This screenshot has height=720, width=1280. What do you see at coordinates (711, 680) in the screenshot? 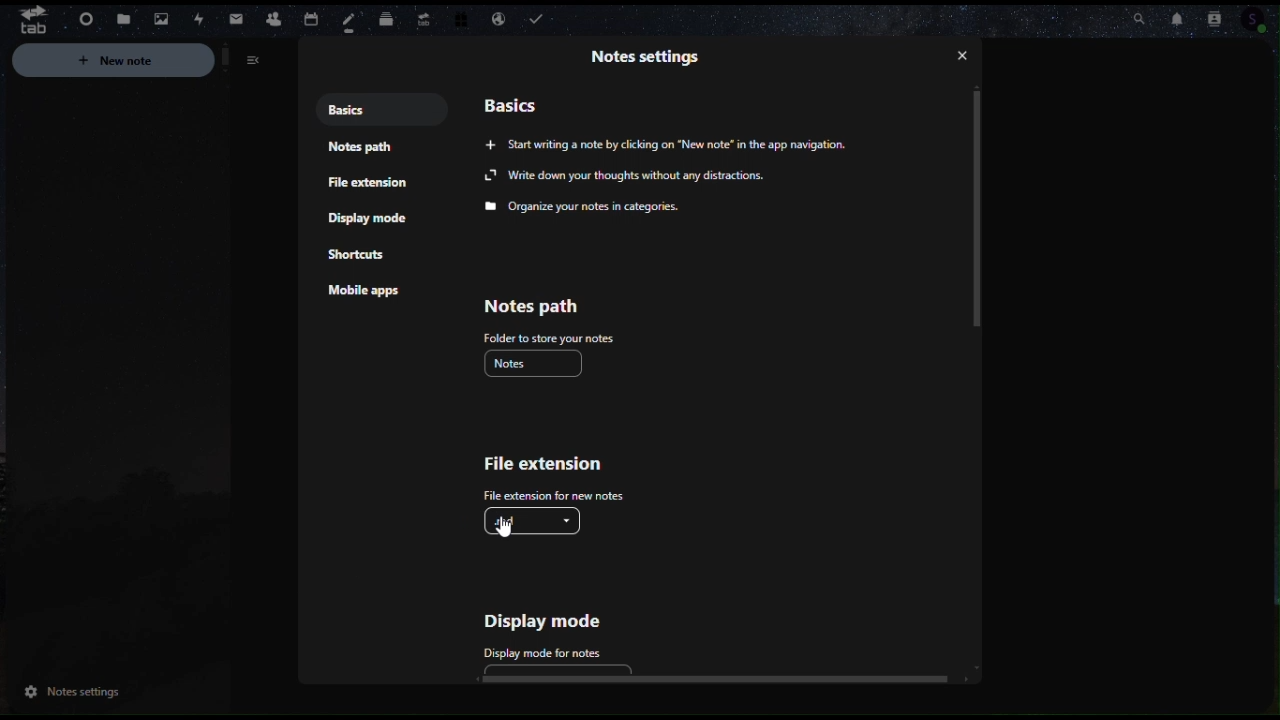
I see `horizontal scroll bar` at bounding box center [711, 680].